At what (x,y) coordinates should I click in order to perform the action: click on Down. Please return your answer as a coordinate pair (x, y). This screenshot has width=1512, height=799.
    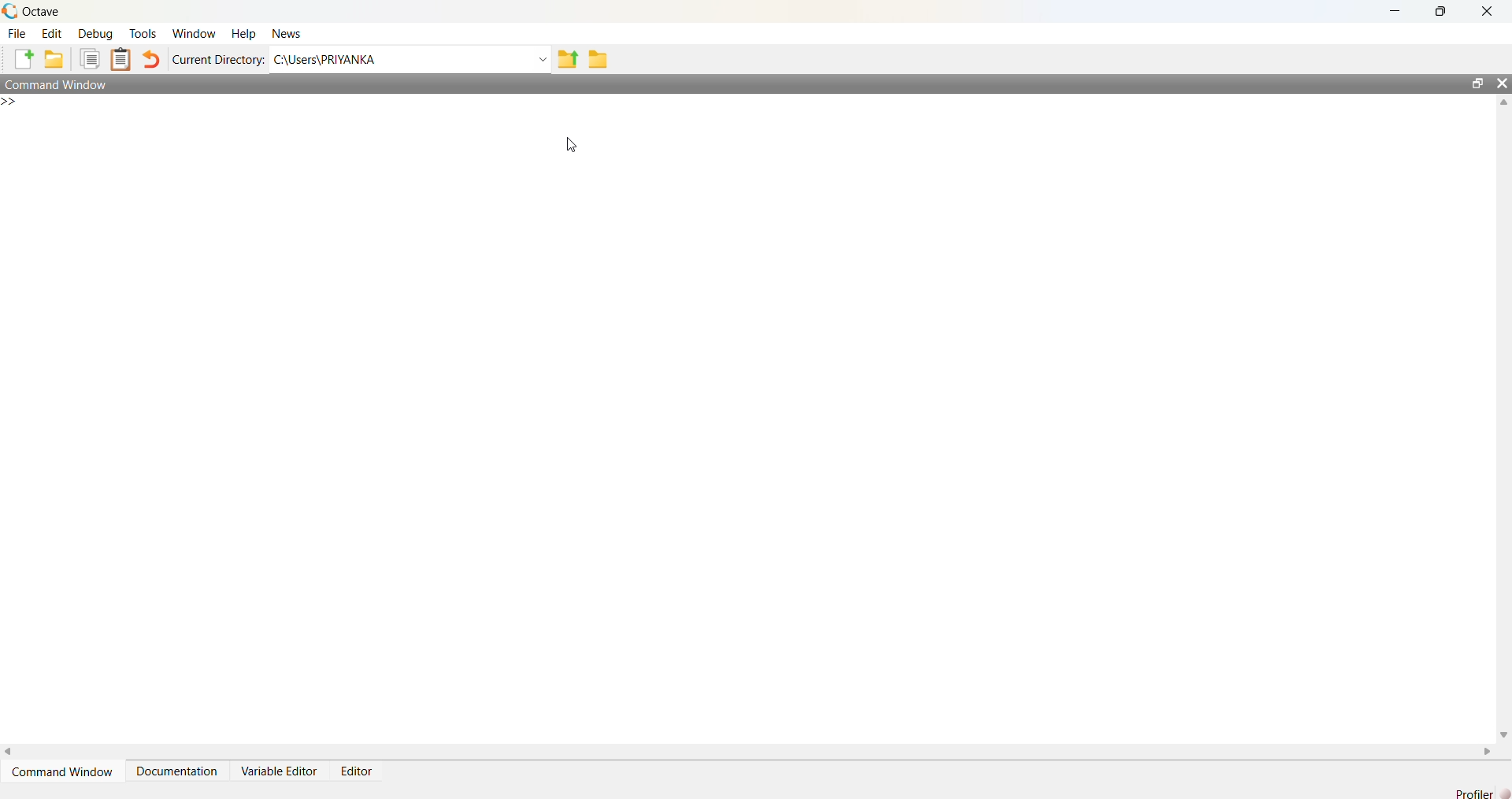
    Looking at the image, I should click on (1503, 728).